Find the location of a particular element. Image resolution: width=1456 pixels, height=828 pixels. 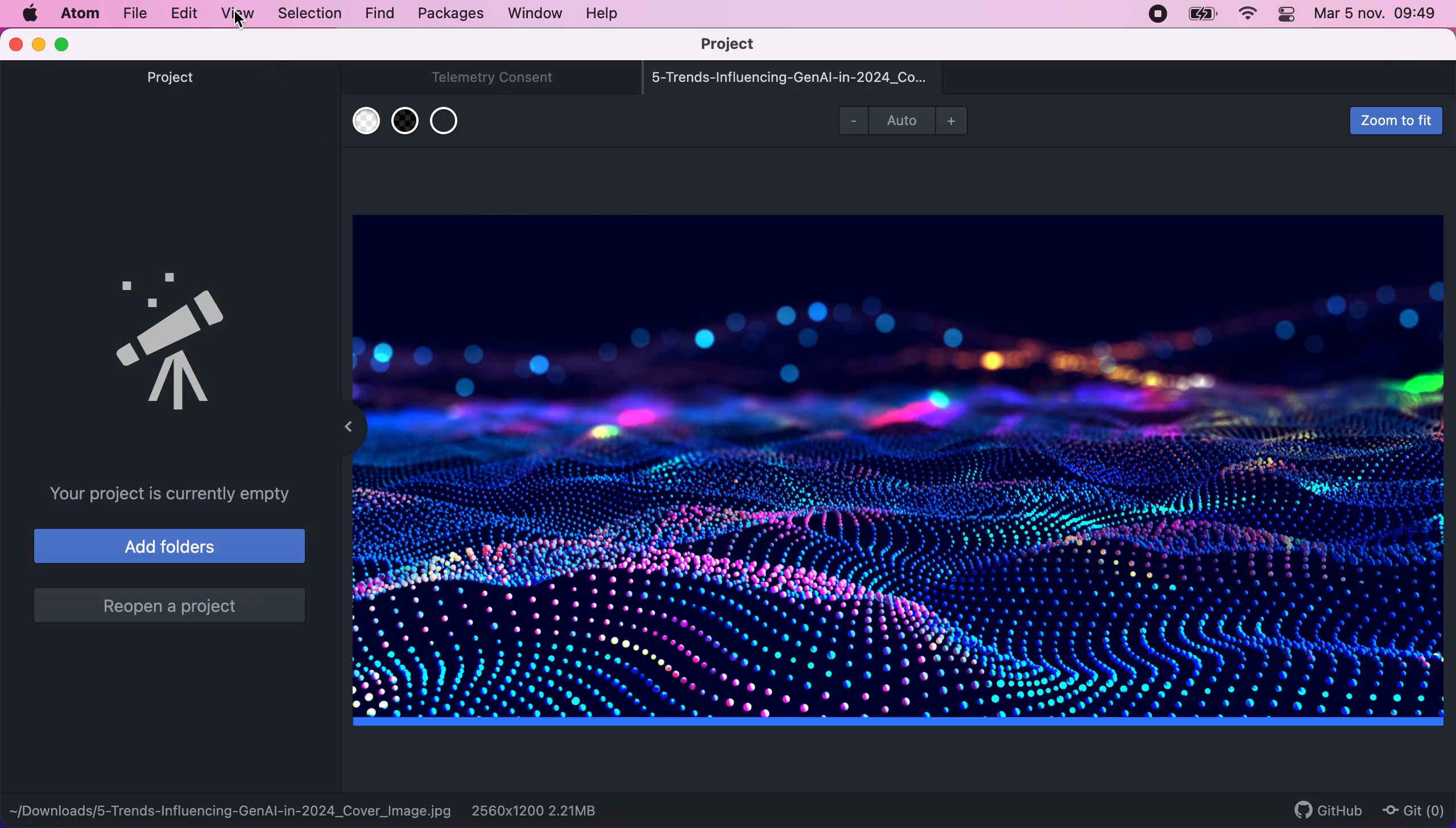

zoom to fit is located at coordinates (1400, 123).